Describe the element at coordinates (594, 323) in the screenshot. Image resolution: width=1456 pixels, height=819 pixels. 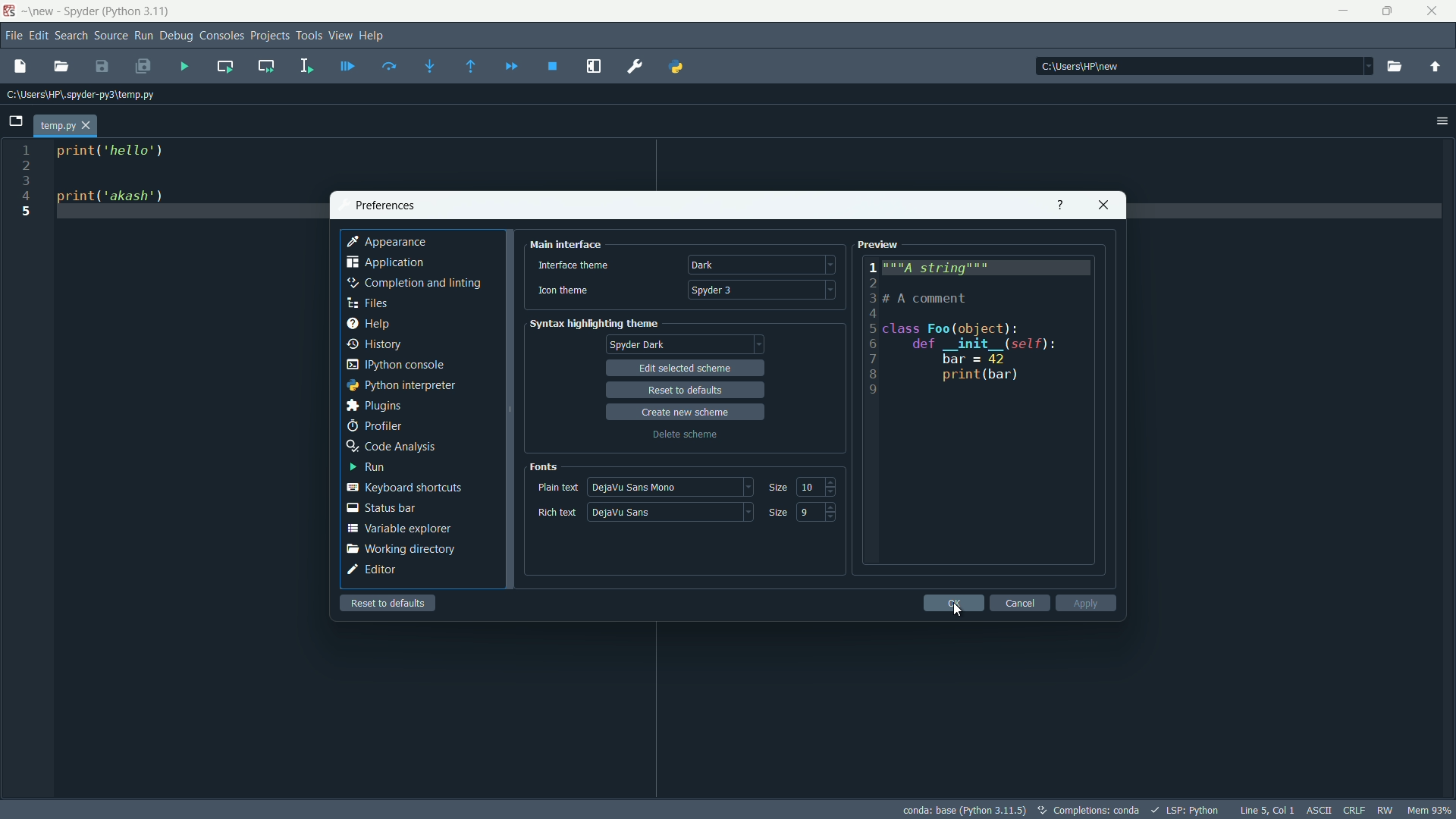
I see `syntax highlighting theme` at that location.